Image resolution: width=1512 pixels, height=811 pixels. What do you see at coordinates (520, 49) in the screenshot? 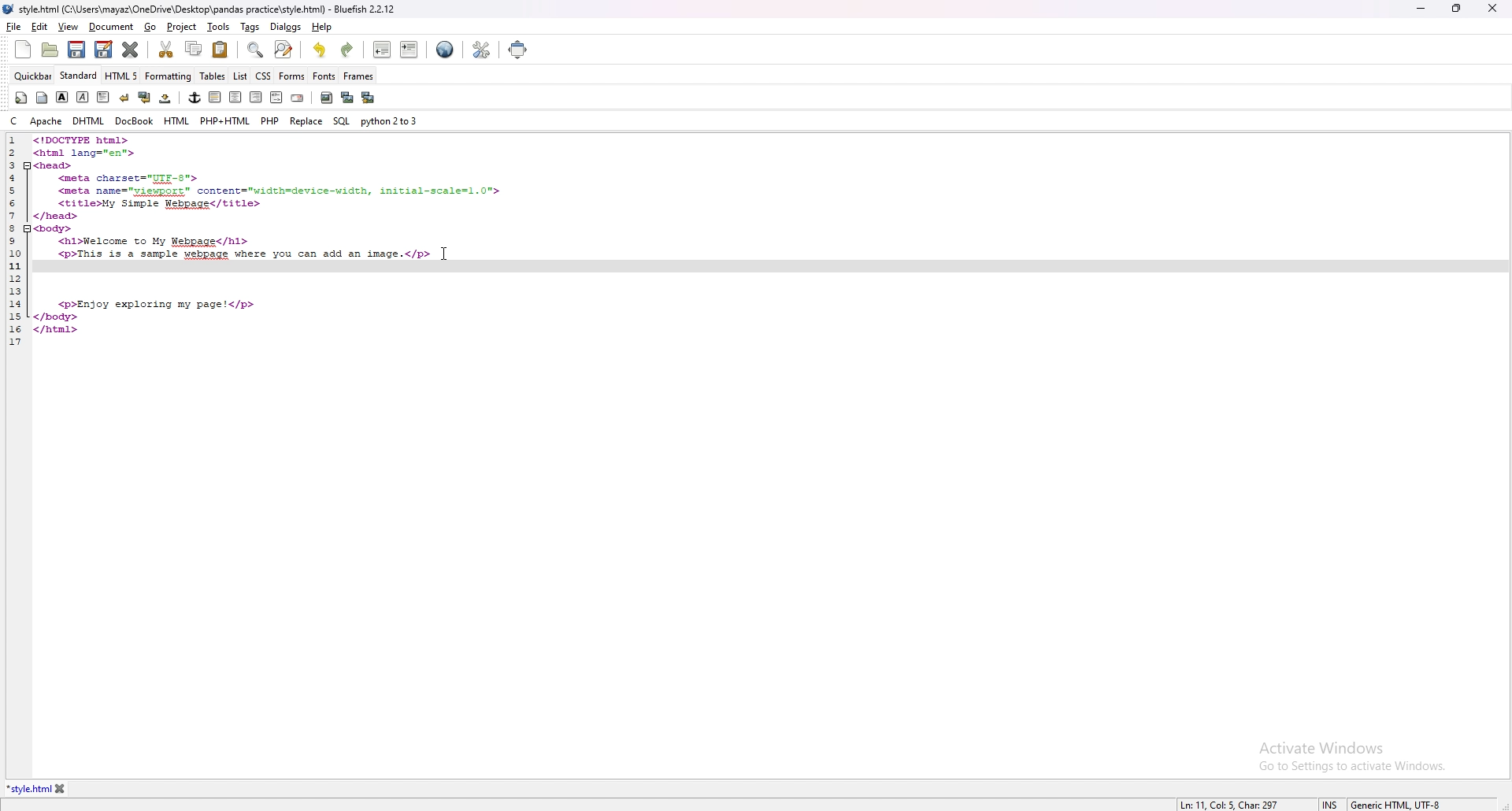
I see `full screen` at bounding box center [520, 49].